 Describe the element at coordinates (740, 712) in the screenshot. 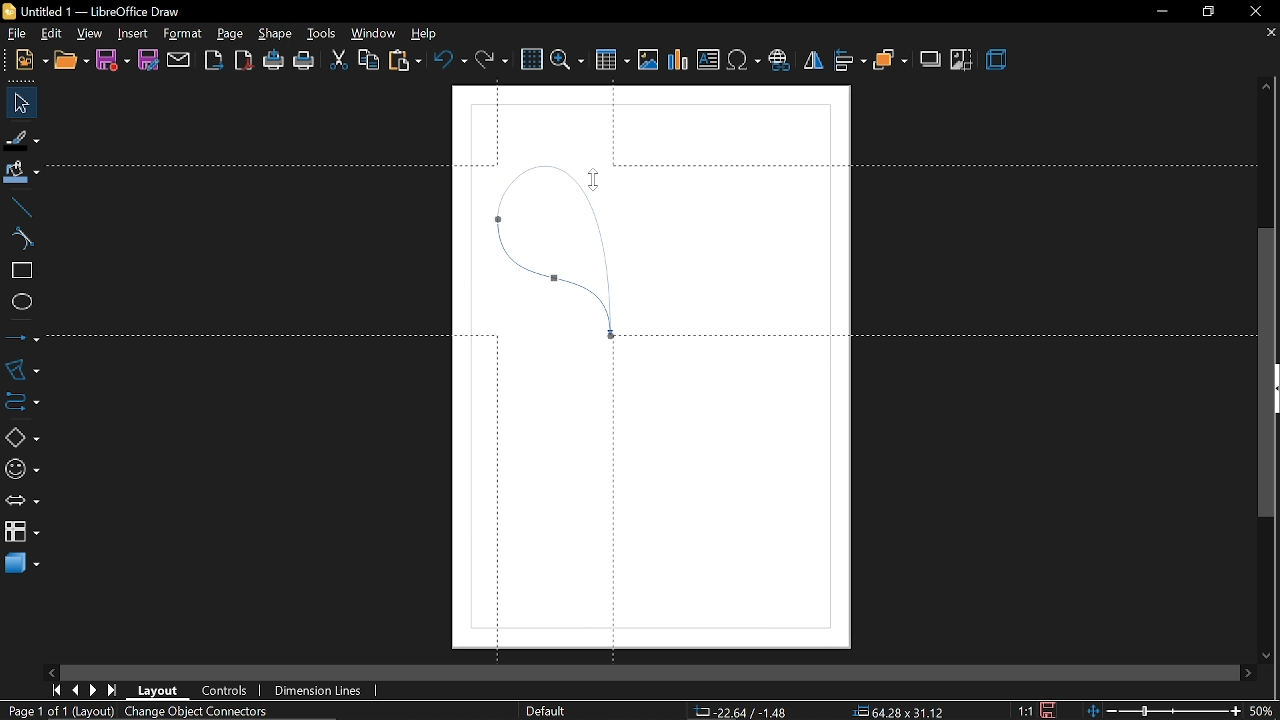

I see `1.40/6.06` at that location.